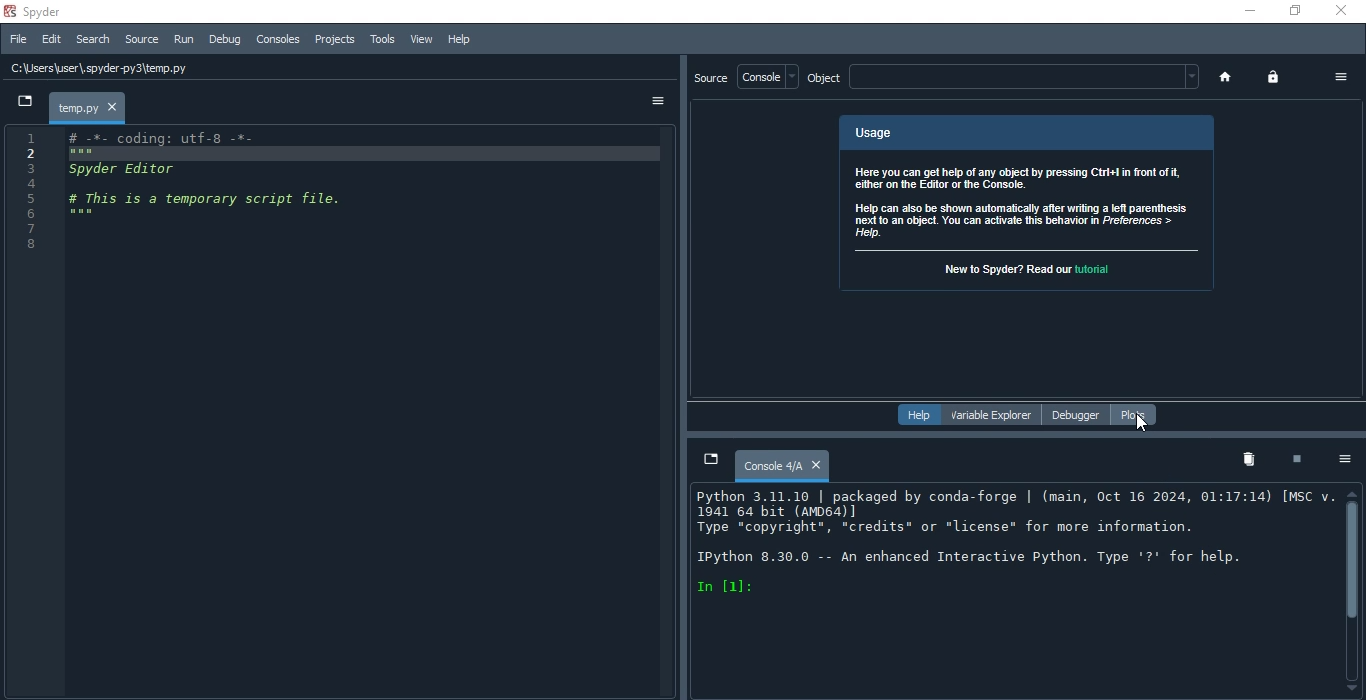  What do you see at coordinates (22, 103) in the screenshot?
I see `dropdown` at bounding box center [22, 103].